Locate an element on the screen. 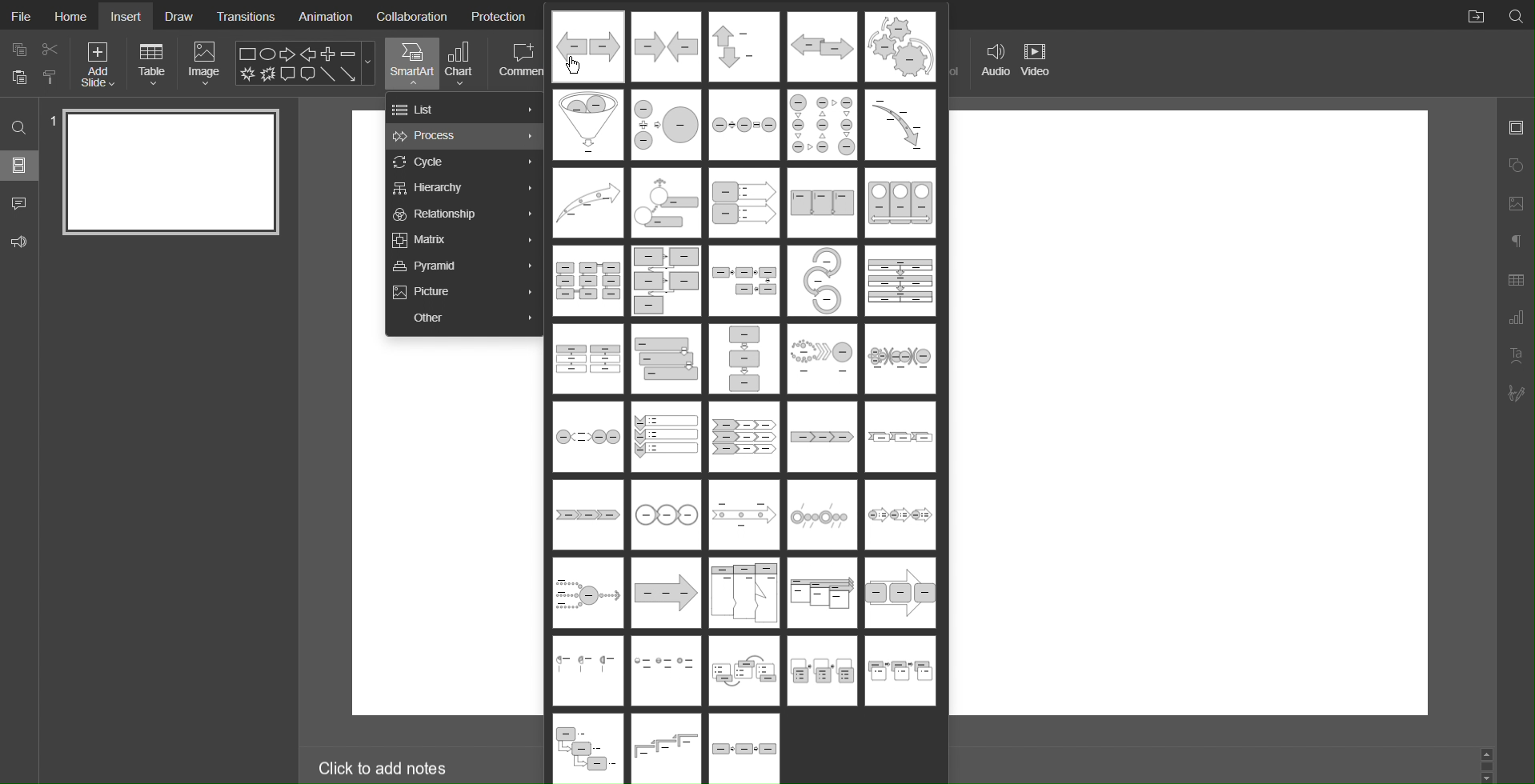 This screenshot has height=784, width=1535. Click to add notes is located at coordinates (384, 766).